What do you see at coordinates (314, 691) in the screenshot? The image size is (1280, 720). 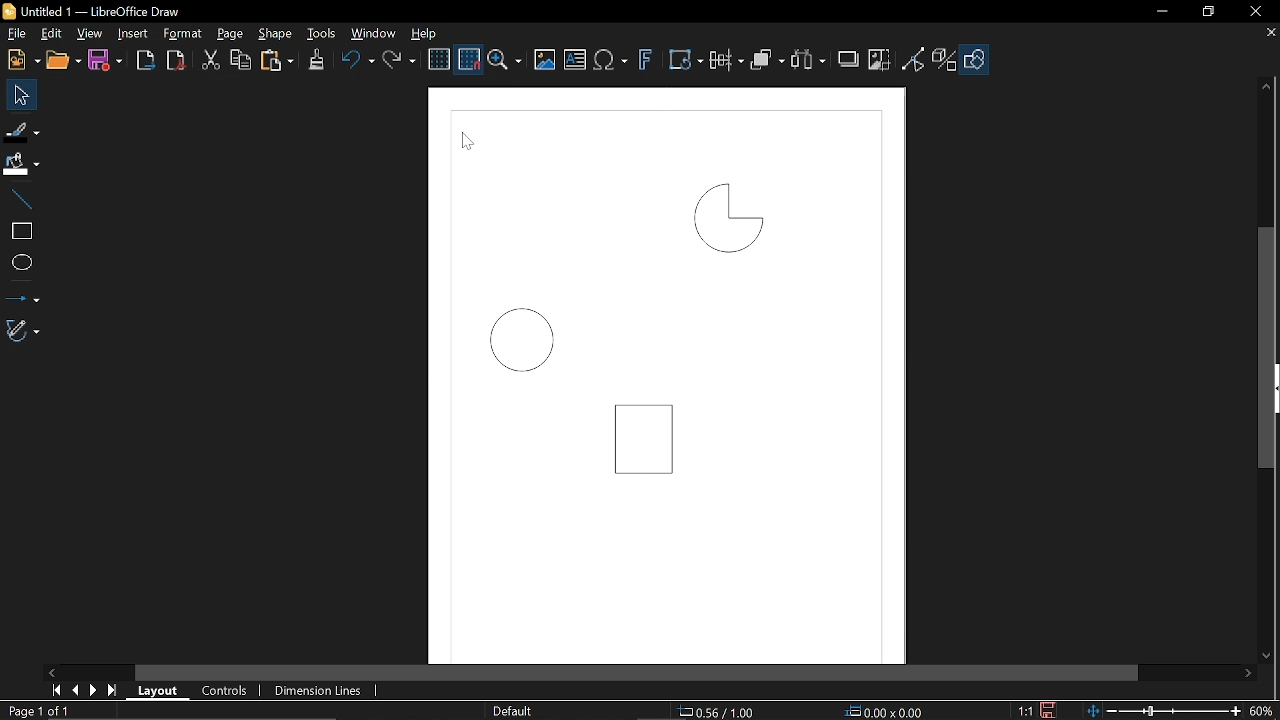 I see `Dimension lines` at bounding box center [314, 691].